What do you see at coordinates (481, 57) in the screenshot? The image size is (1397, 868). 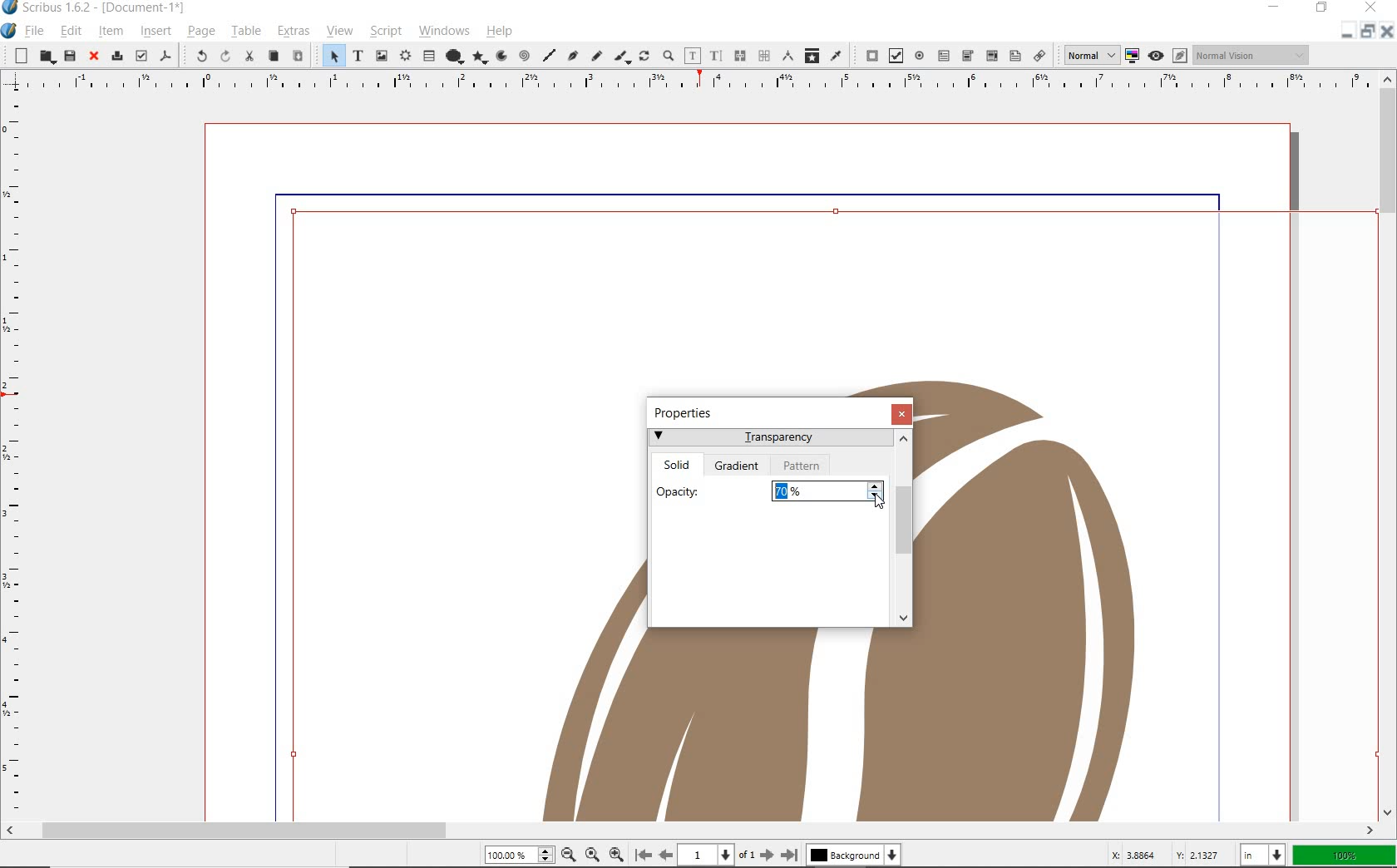 I see `polygon` at bounding box center [481, 57].